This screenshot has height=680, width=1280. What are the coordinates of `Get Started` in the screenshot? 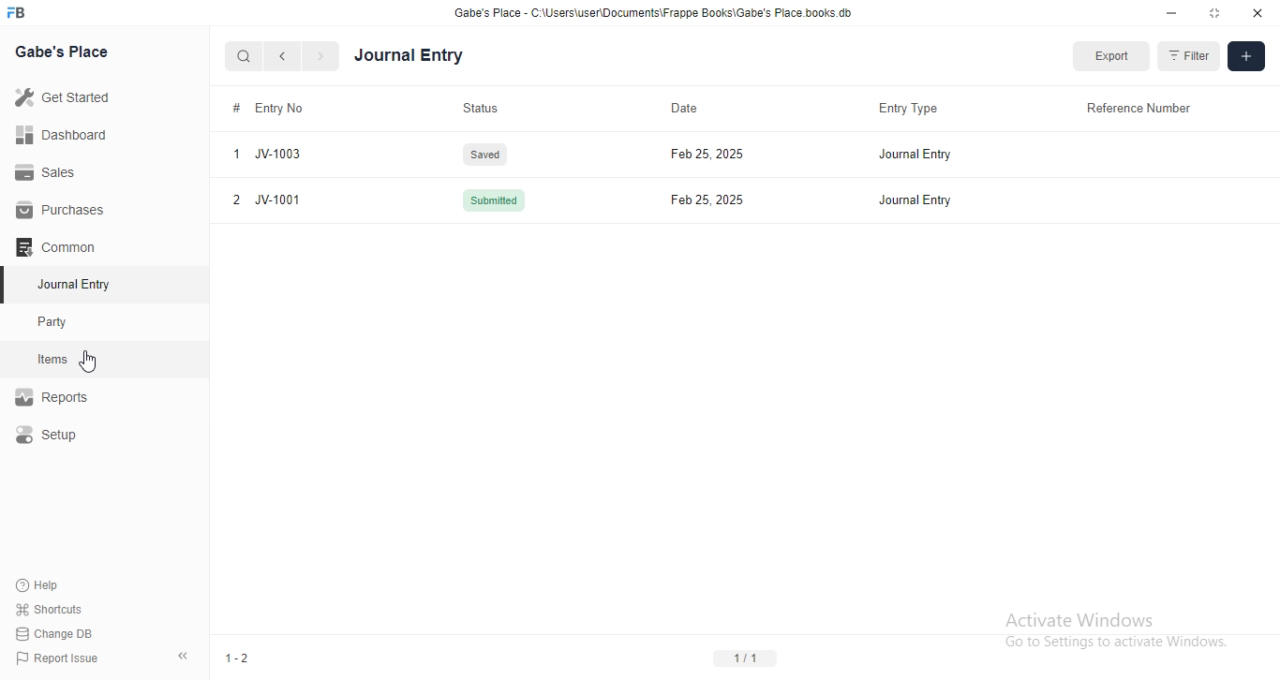 It's located at (67, 96).